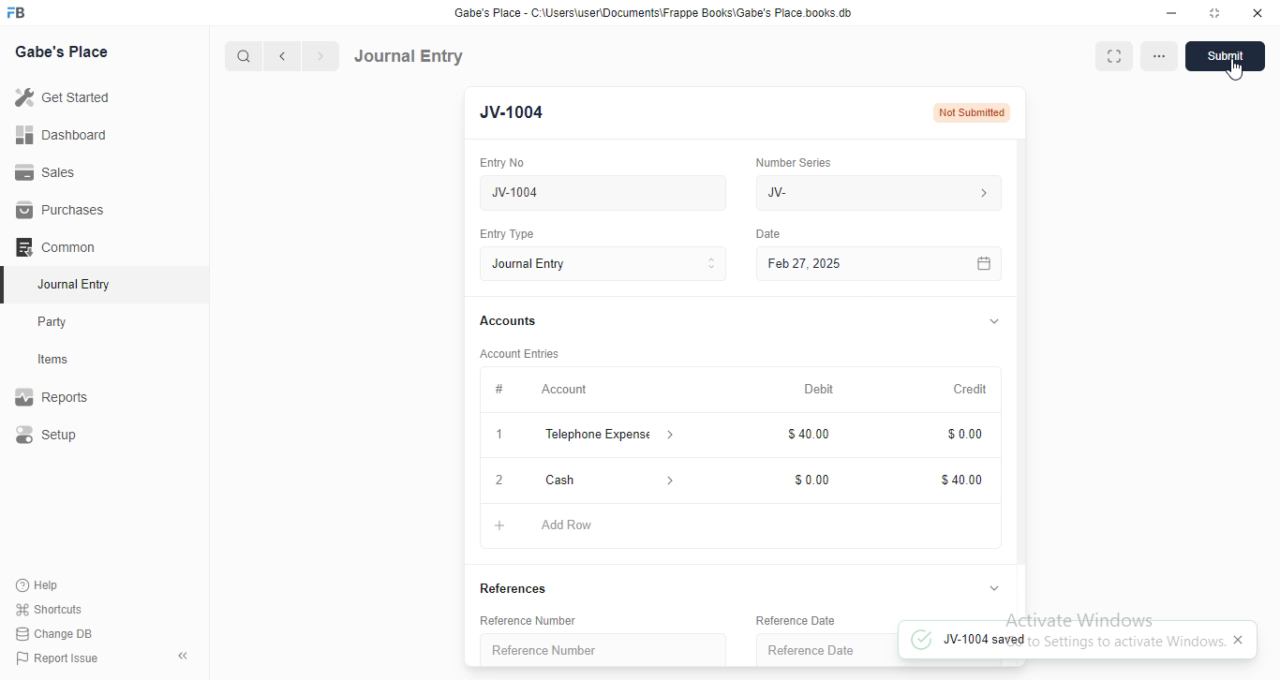 Image resolution: width=1280 pixels, height=680 pixels. Describe the element at coordinates (603, 264) in the screenshot. I see `Journal Entry` at that location.